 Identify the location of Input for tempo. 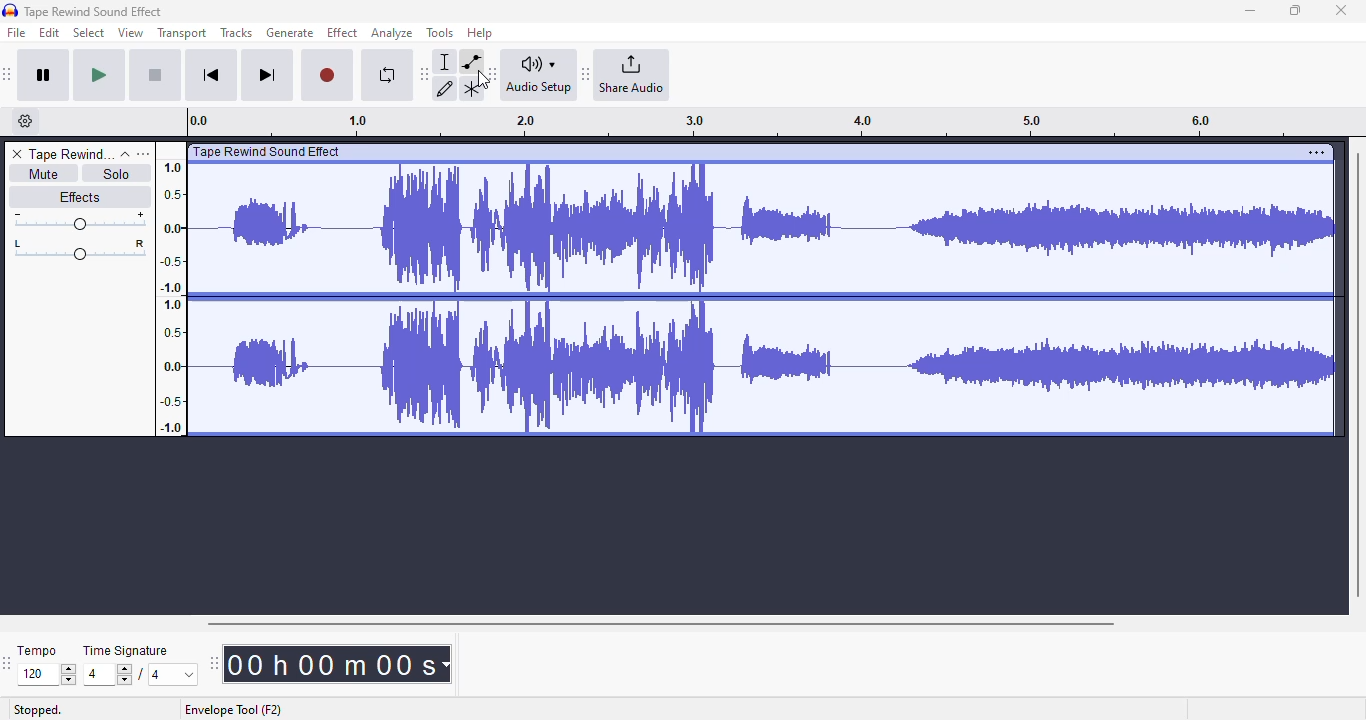
(46, 675).